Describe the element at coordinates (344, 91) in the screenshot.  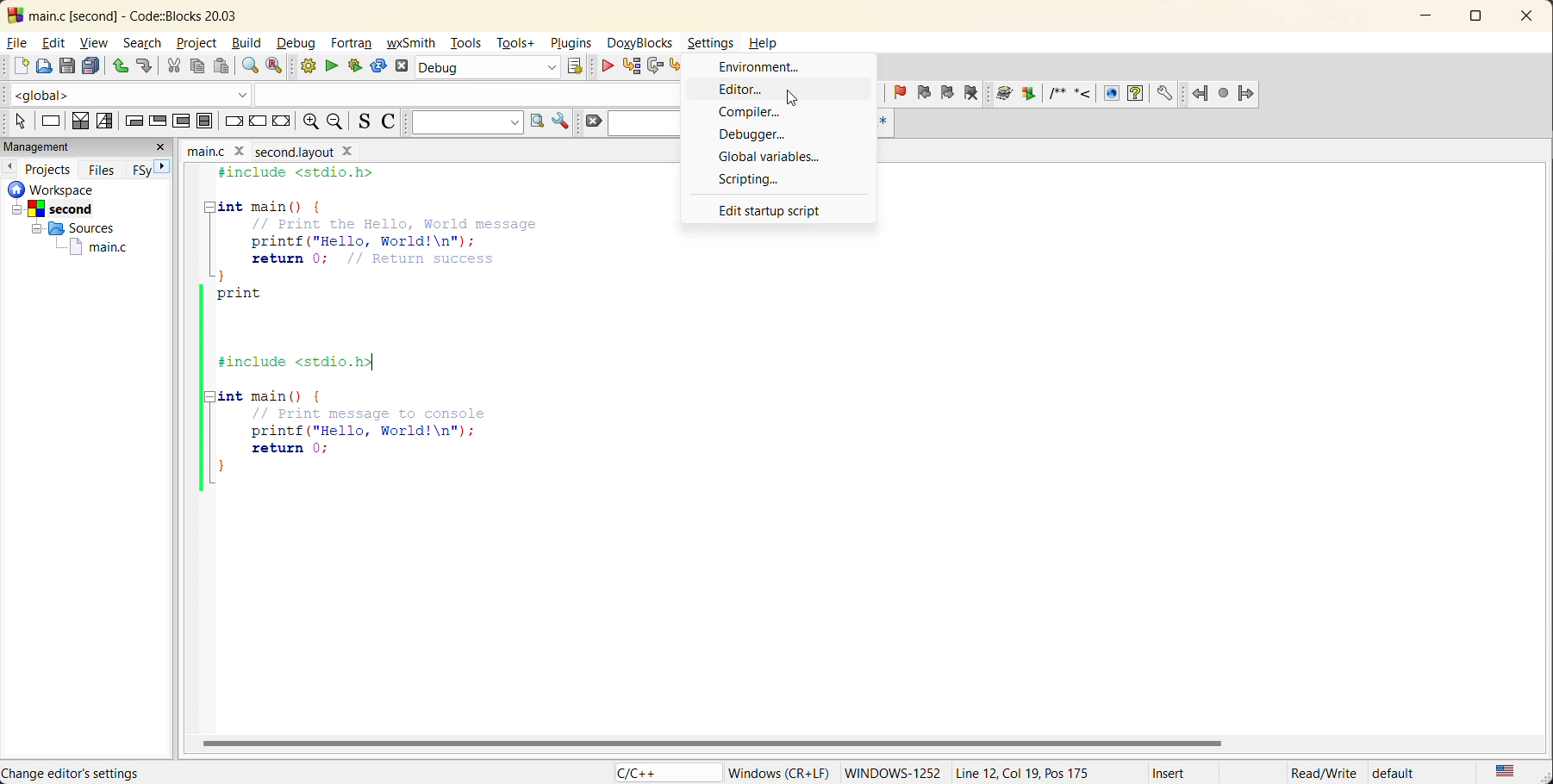
I see `code completion compiler` at that location.